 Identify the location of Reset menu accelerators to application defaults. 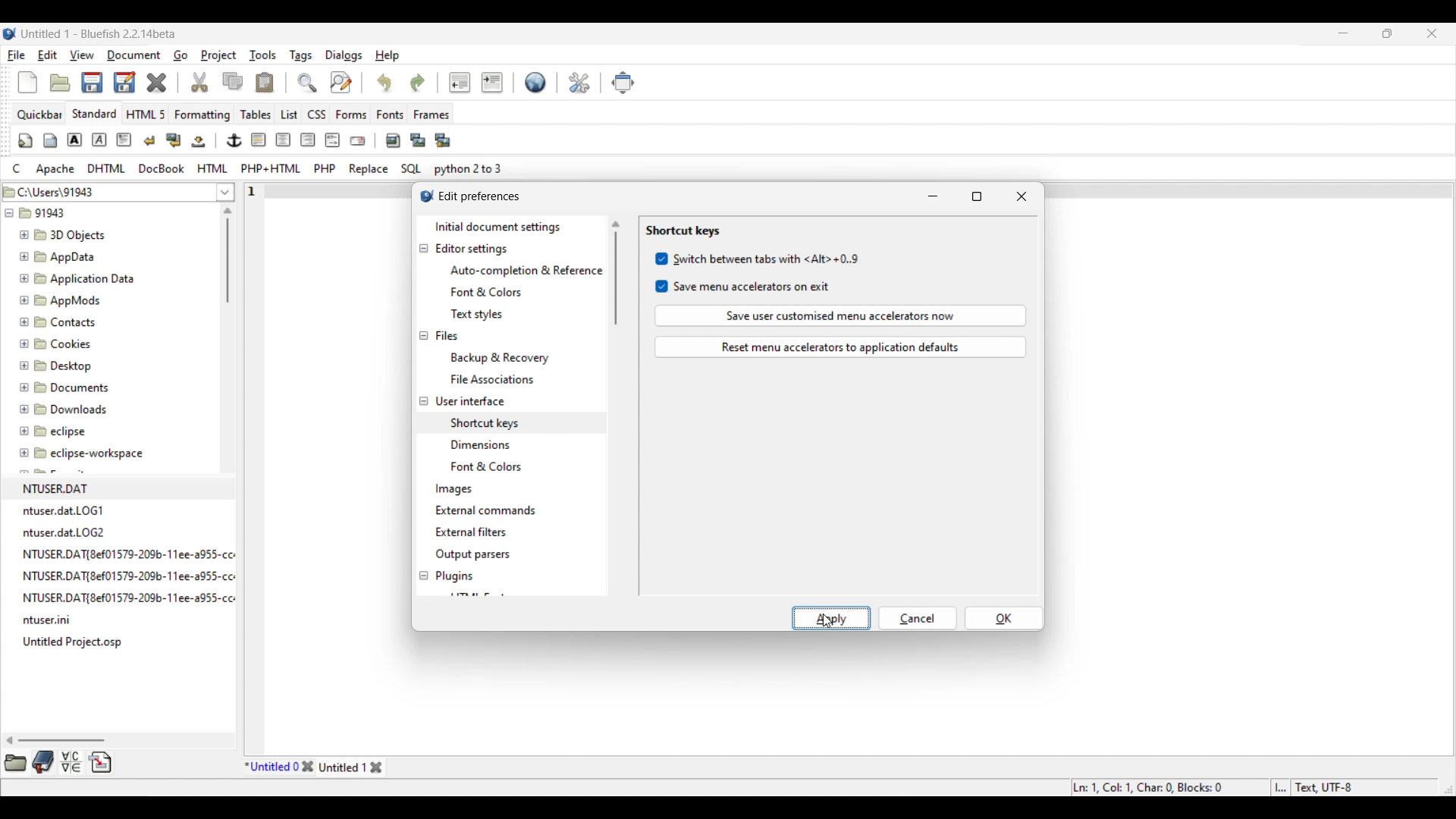
(841, 347).